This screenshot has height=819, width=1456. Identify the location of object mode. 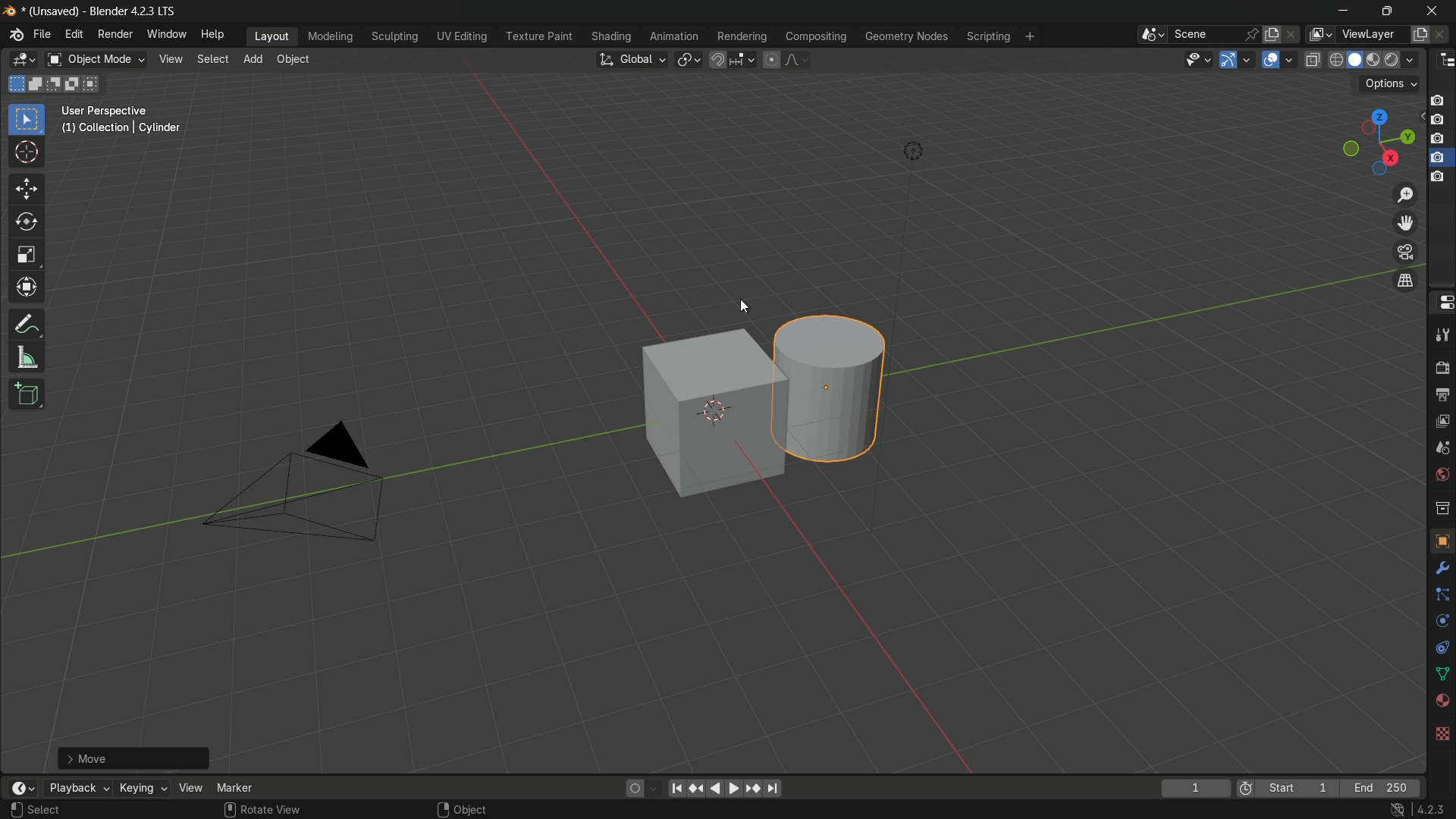
(95, 59).